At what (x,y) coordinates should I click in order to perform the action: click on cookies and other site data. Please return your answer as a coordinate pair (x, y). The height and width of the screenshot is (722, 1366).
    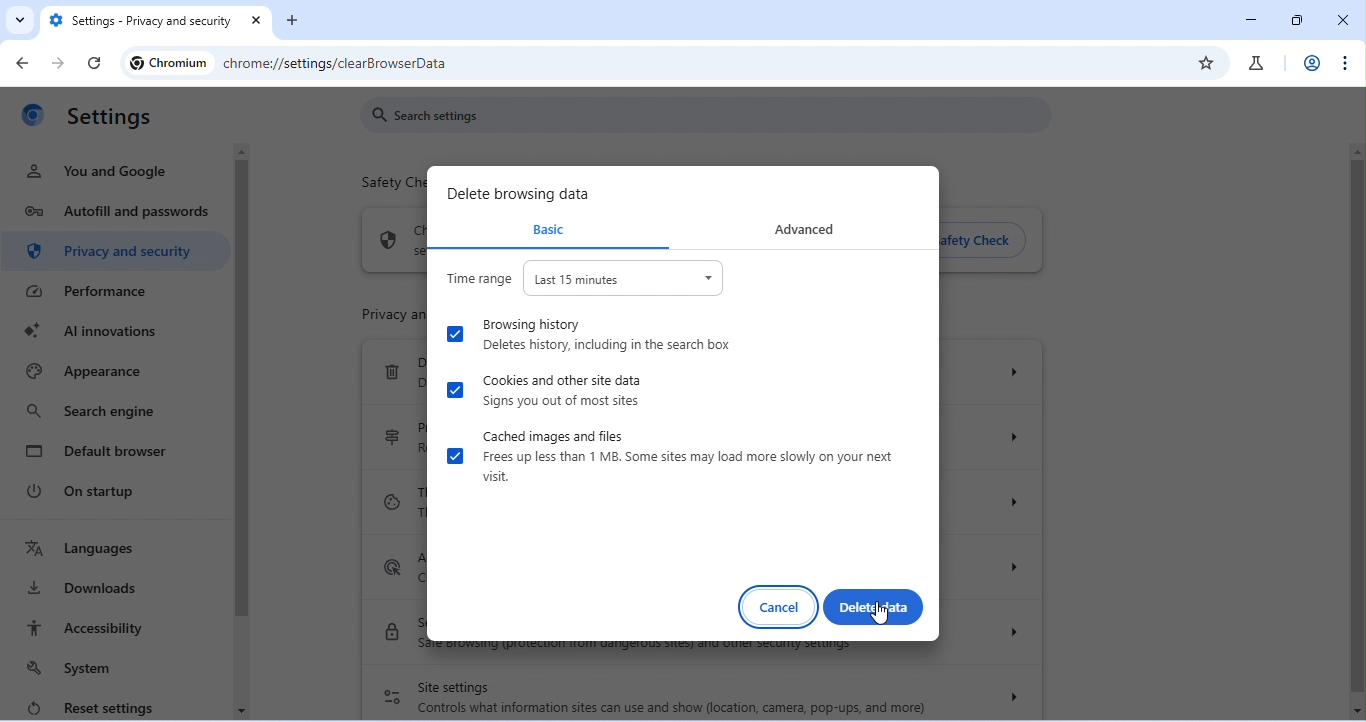
    Looking at the image, I should click on (564, 379).